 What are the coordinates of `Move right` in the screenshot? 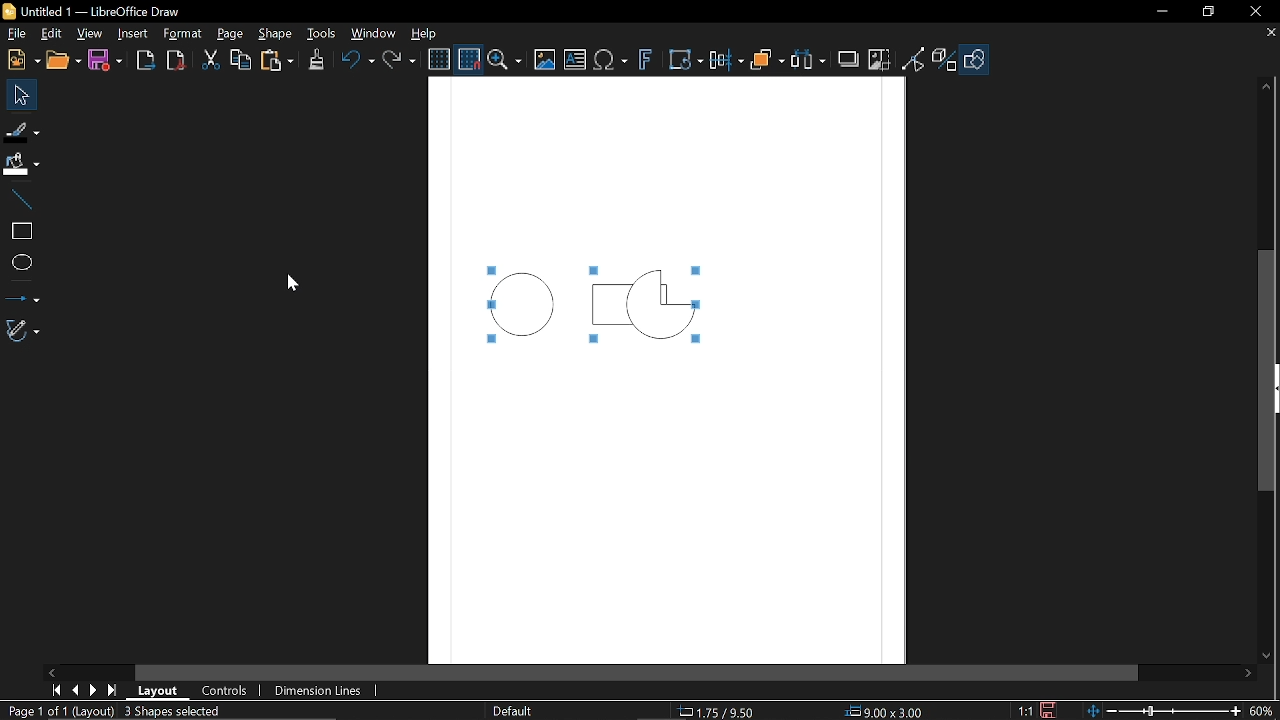 It's located at (1248, 676).